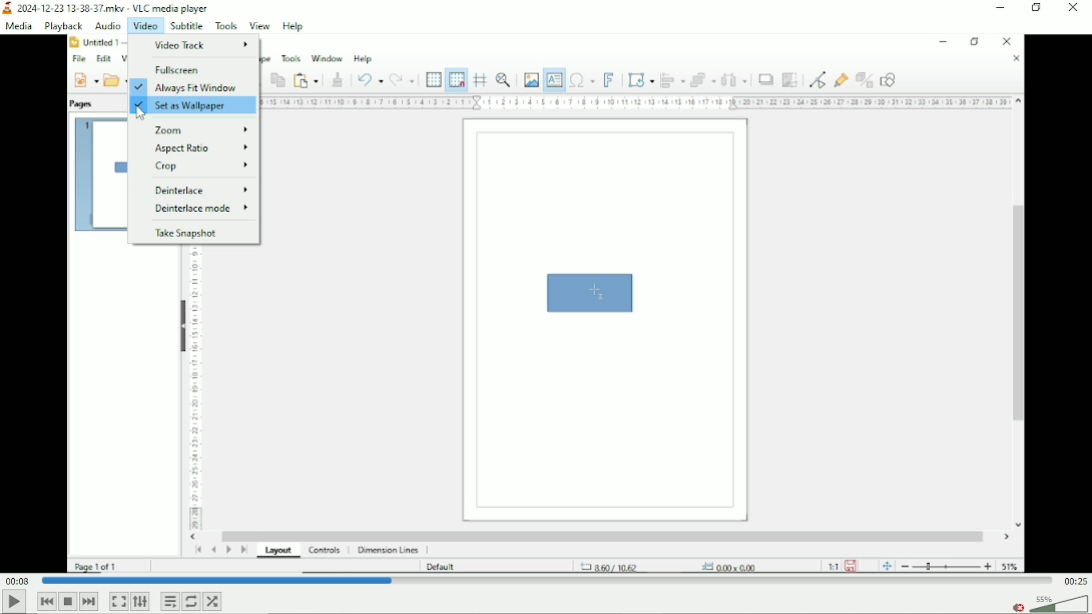 This screenshot has width=1092, height=614. Describe the element at coordinates (654, 310) in the screenshot. I see `Video` at that location.